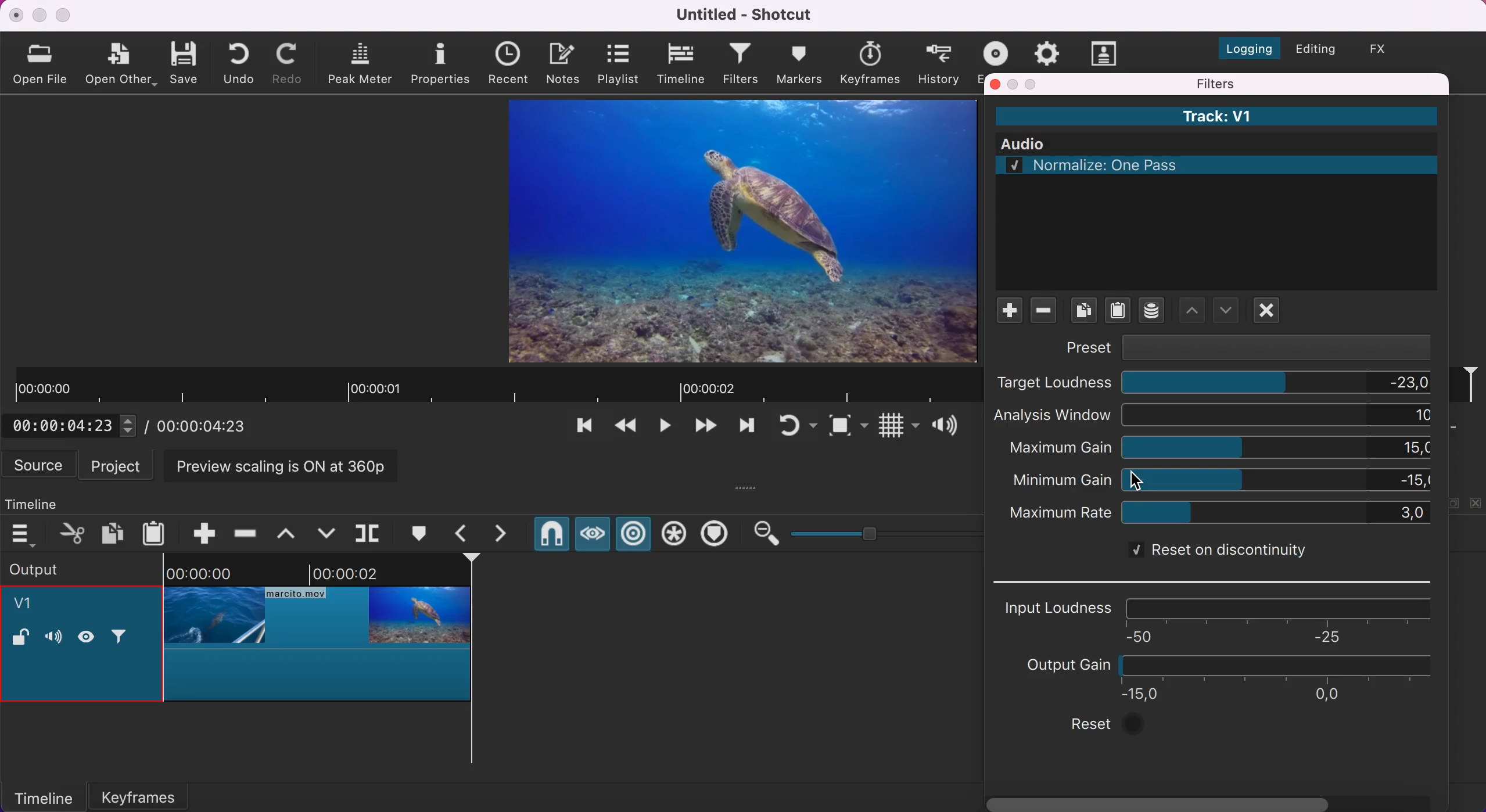  What do you see at coordinates (26, 534) in the screenshot?
I see `timeline menu` at bounding box center [26, 534].